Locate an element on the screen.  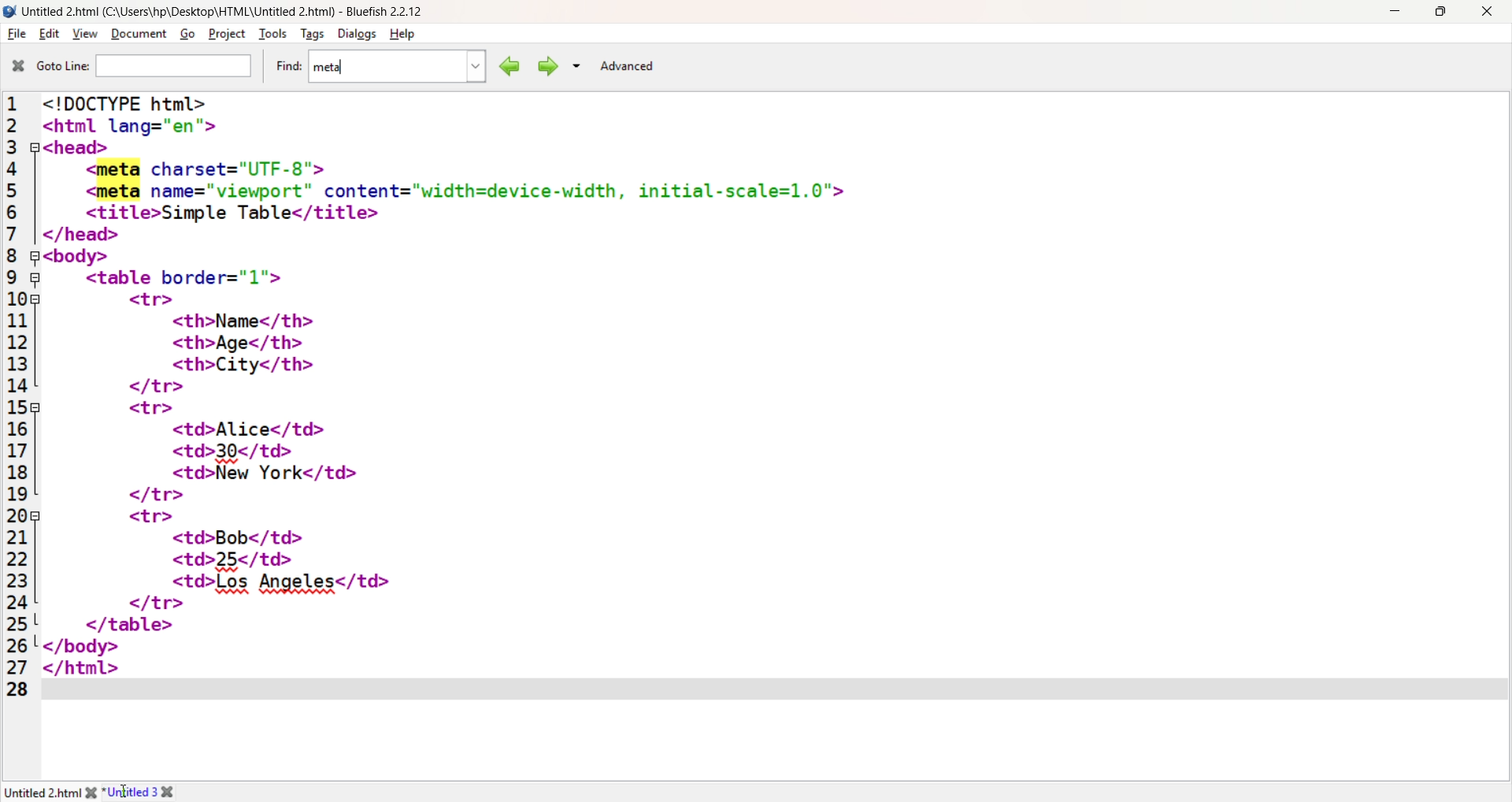
Help is located at coordinates (405, 34).